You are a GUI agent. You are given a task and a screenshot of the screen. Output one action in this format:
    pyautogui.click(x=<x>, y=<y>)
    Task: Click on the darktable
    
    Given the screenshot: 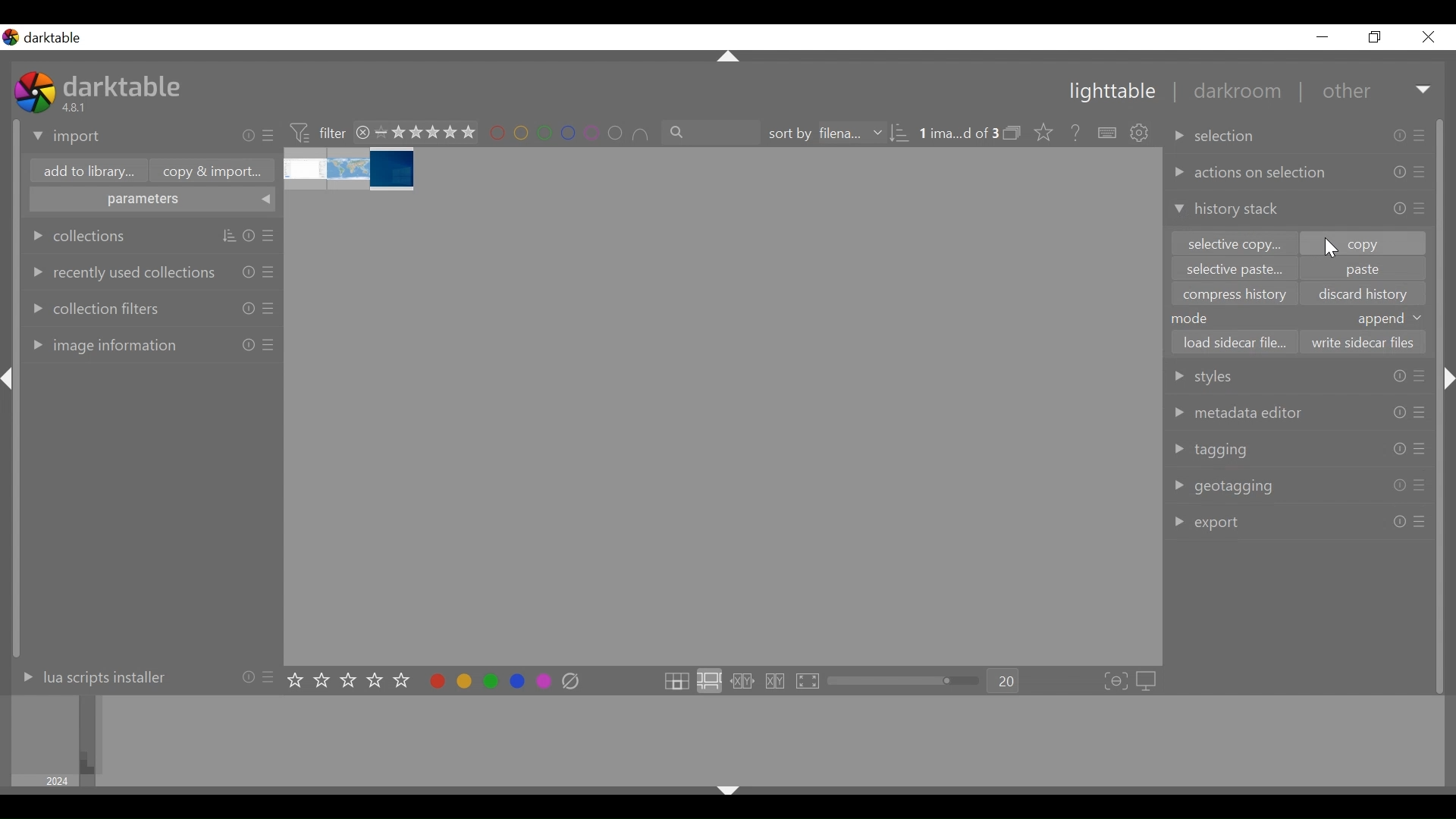 What is the action you would take?
    pyautogui.click(x=58, y=38)
    